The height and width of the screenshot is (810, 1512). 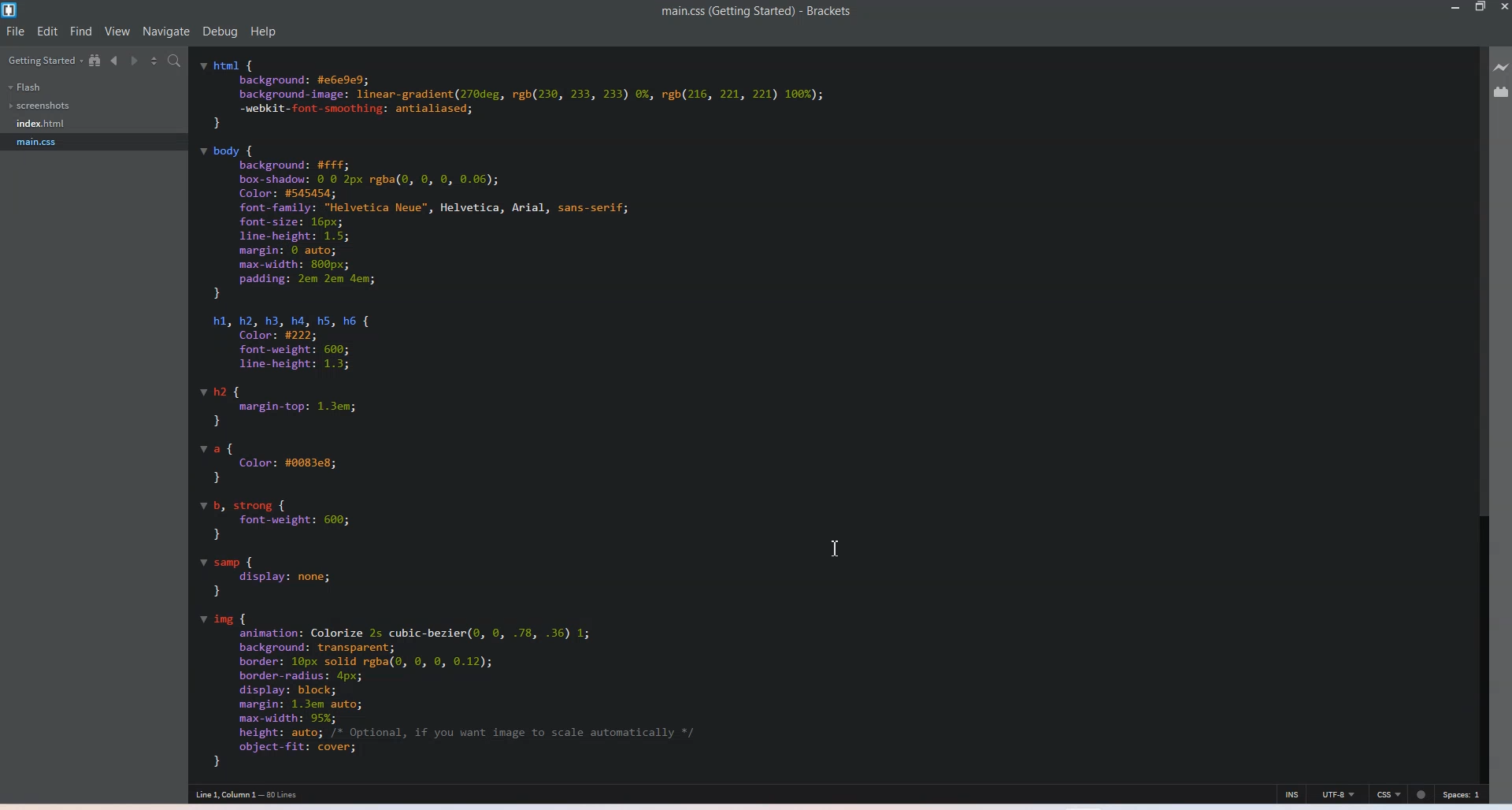 What do you see at coordinates (96, 60) in the screenshot?
I see `Show in file tree` at bounding box center [96, 60].